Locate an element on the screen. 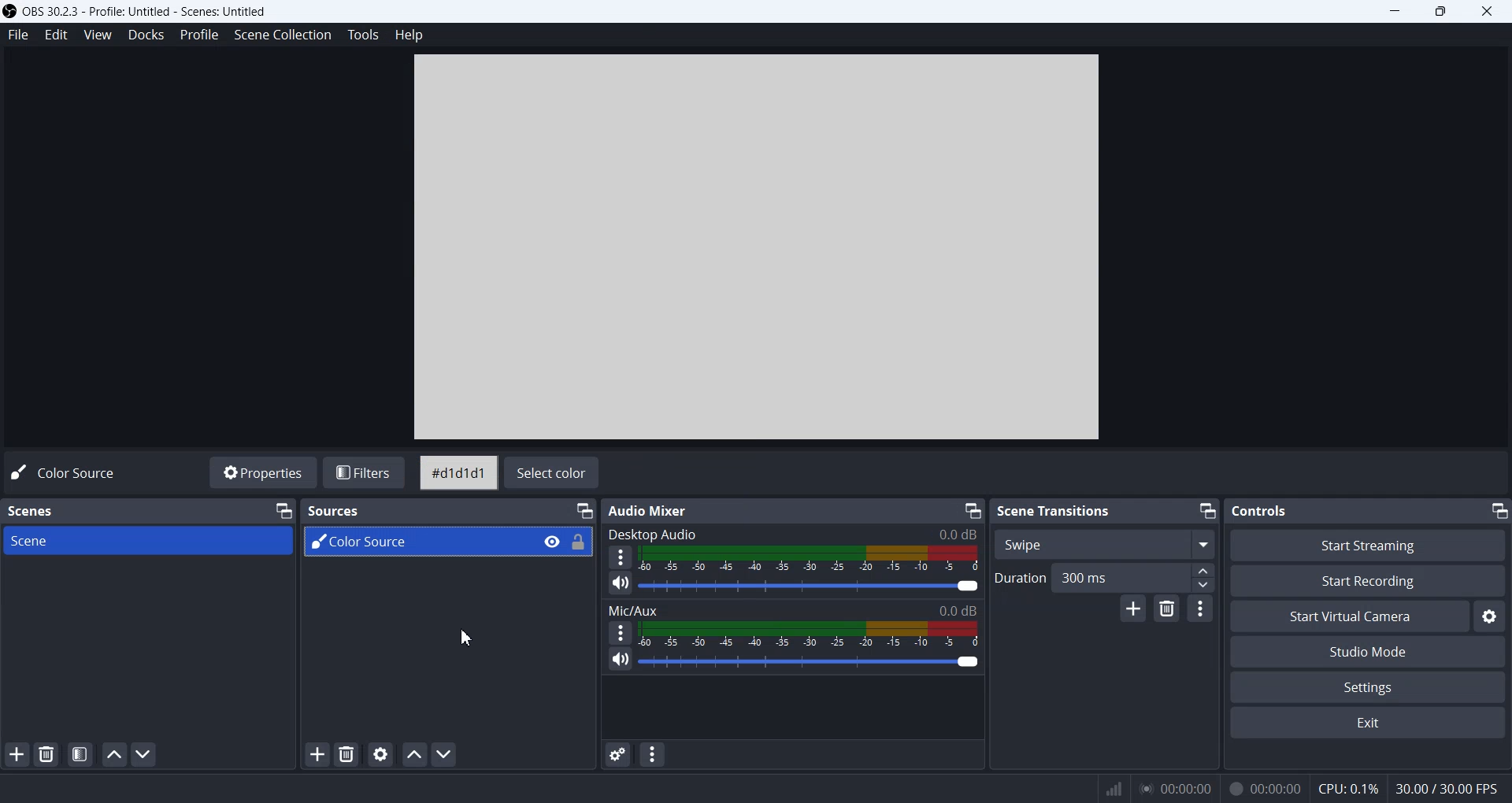 The image size is (1512, 803). 300 ms is located at coordinates (1134, 577).